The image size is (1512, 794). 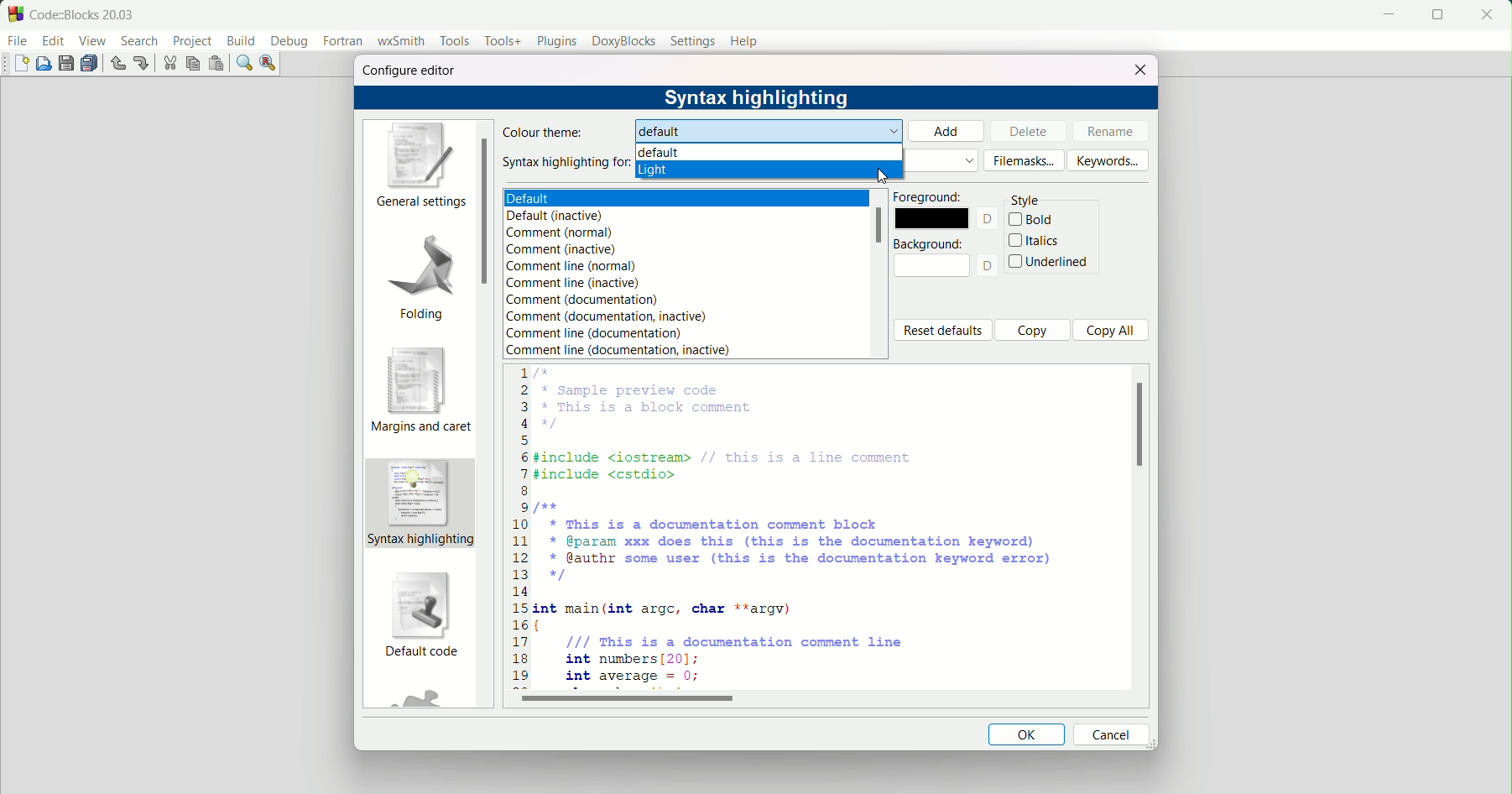 What do you see at coordinates (91, 65) in the screenshot?
I see `save all` at bounding box center [91, 65].